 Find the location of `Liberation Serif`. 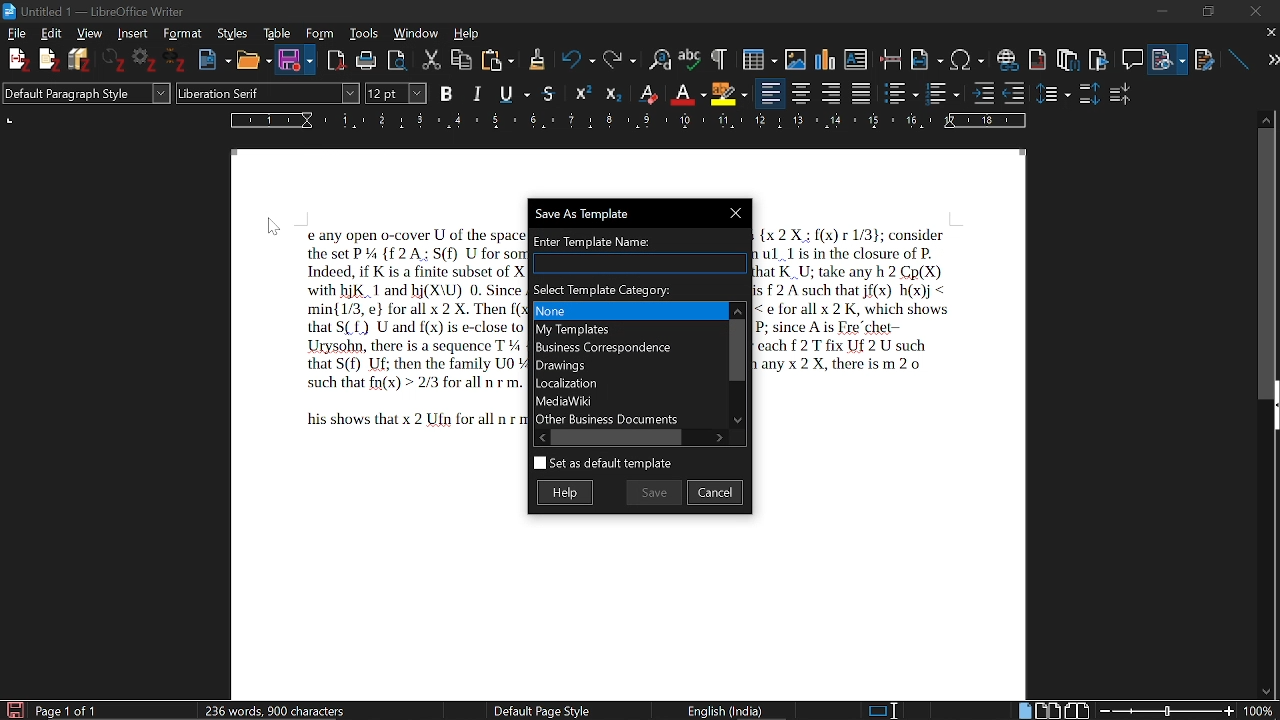

Liberation Serif is located at coordinates (228, 95).